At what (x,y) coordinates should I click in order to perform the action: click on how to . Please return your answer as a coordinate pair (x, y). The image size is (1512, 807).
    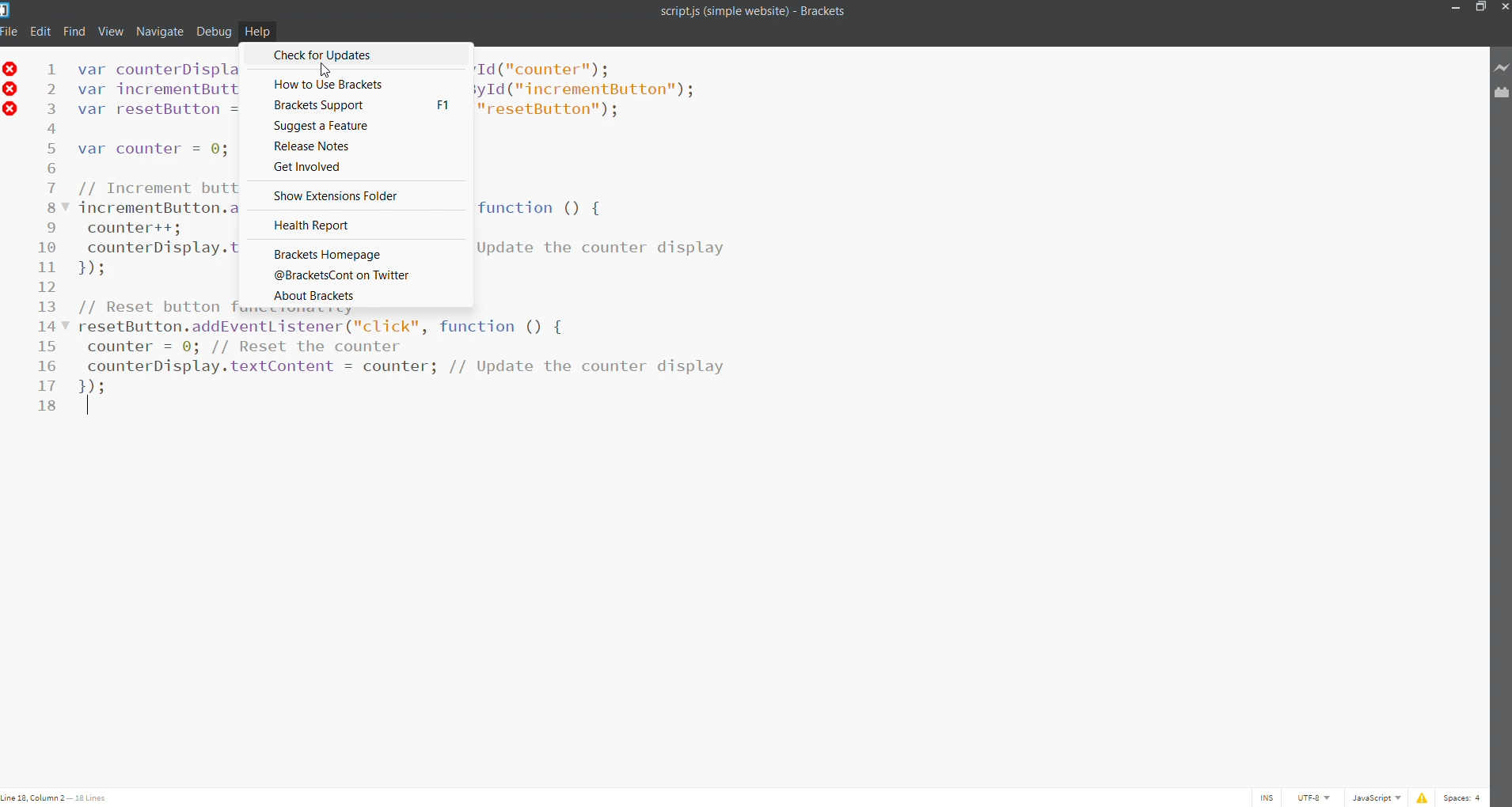
    Looking at the image, I should click on (354, 83).